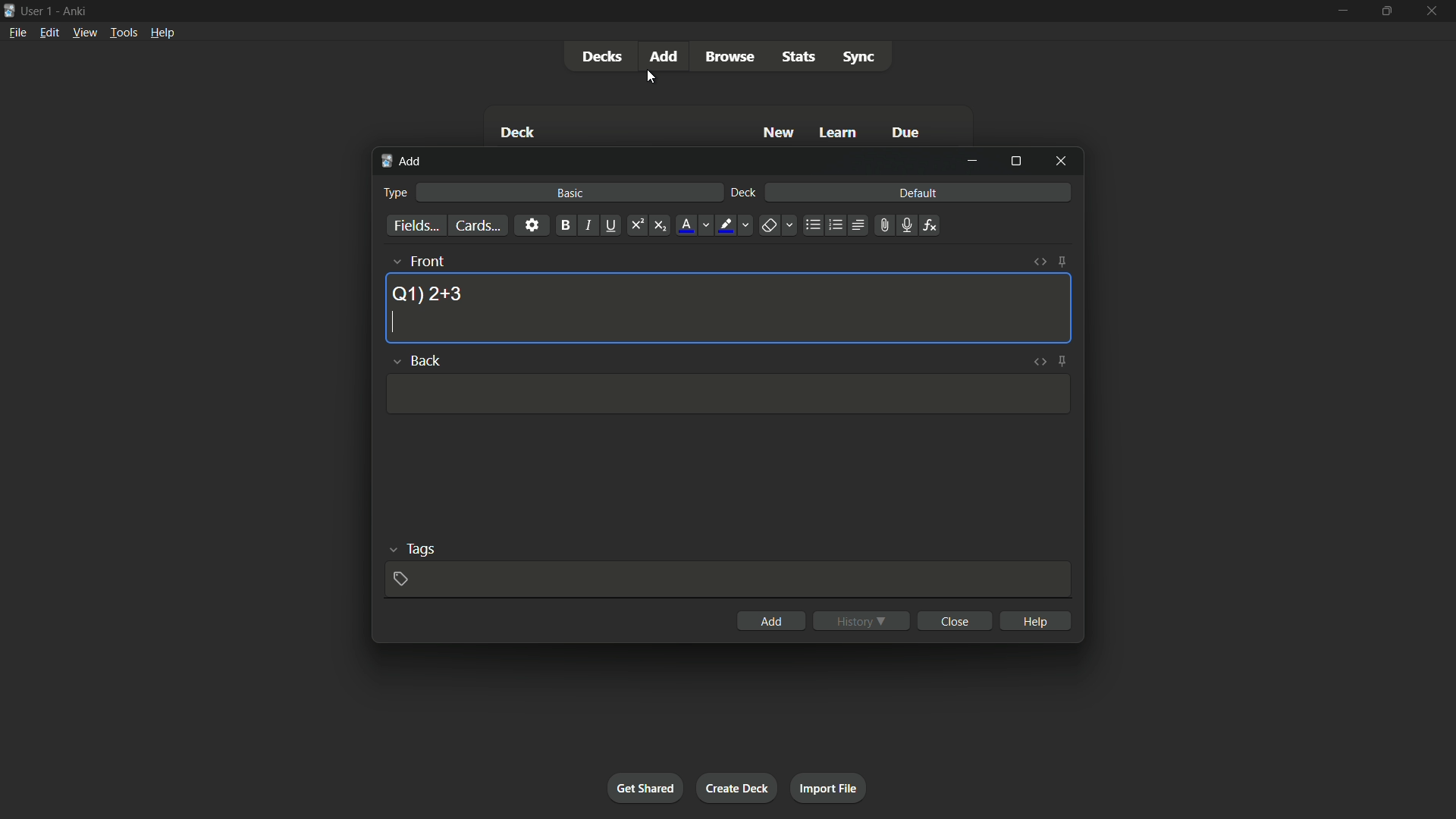 This screenshot has width=1456, height=819. Describe the element at coordinates (957, 620) in the screenshot. I see `close` at that location.